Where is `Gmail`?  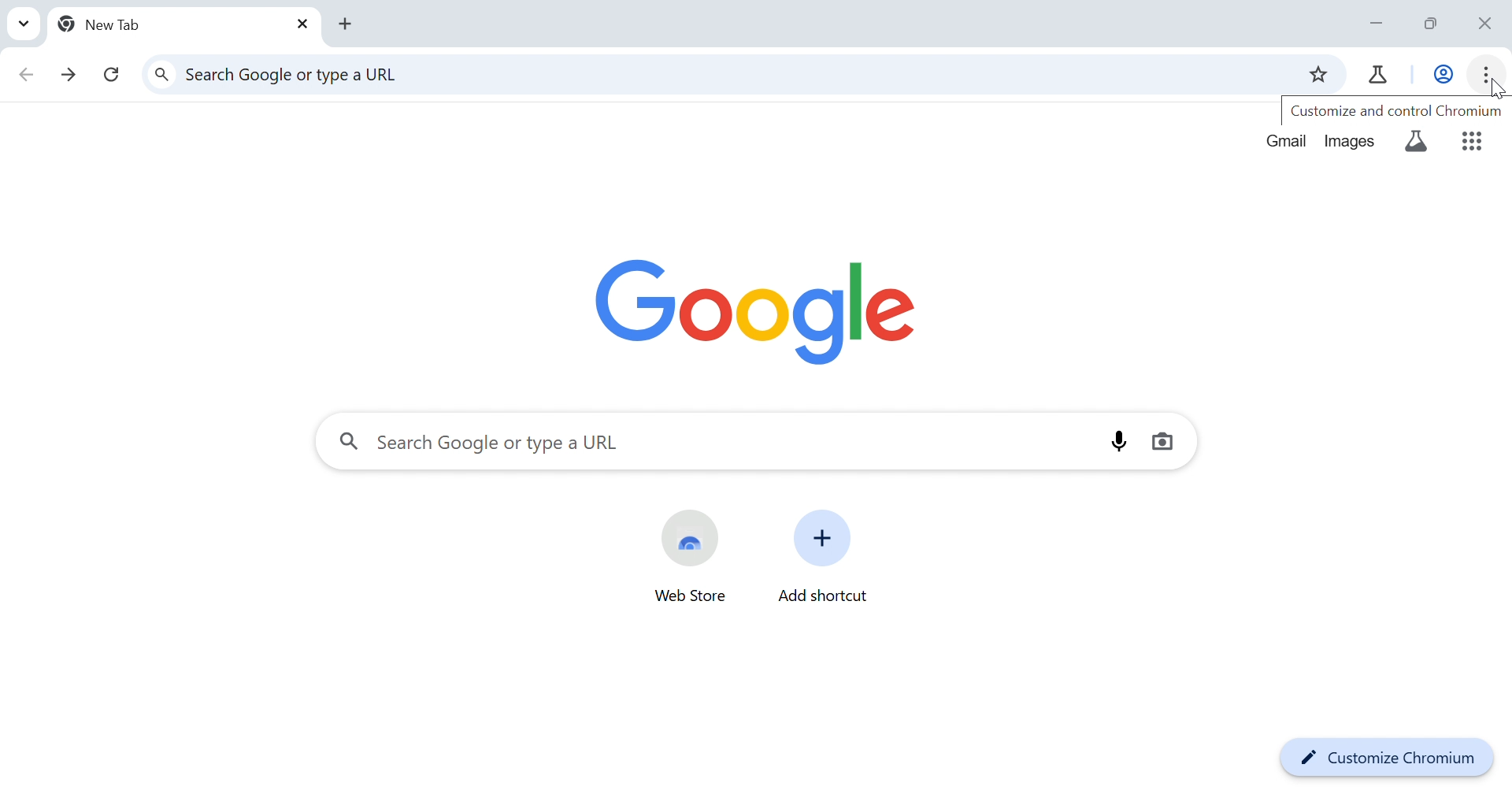
Gmail is located at coordinates (1289, 140).